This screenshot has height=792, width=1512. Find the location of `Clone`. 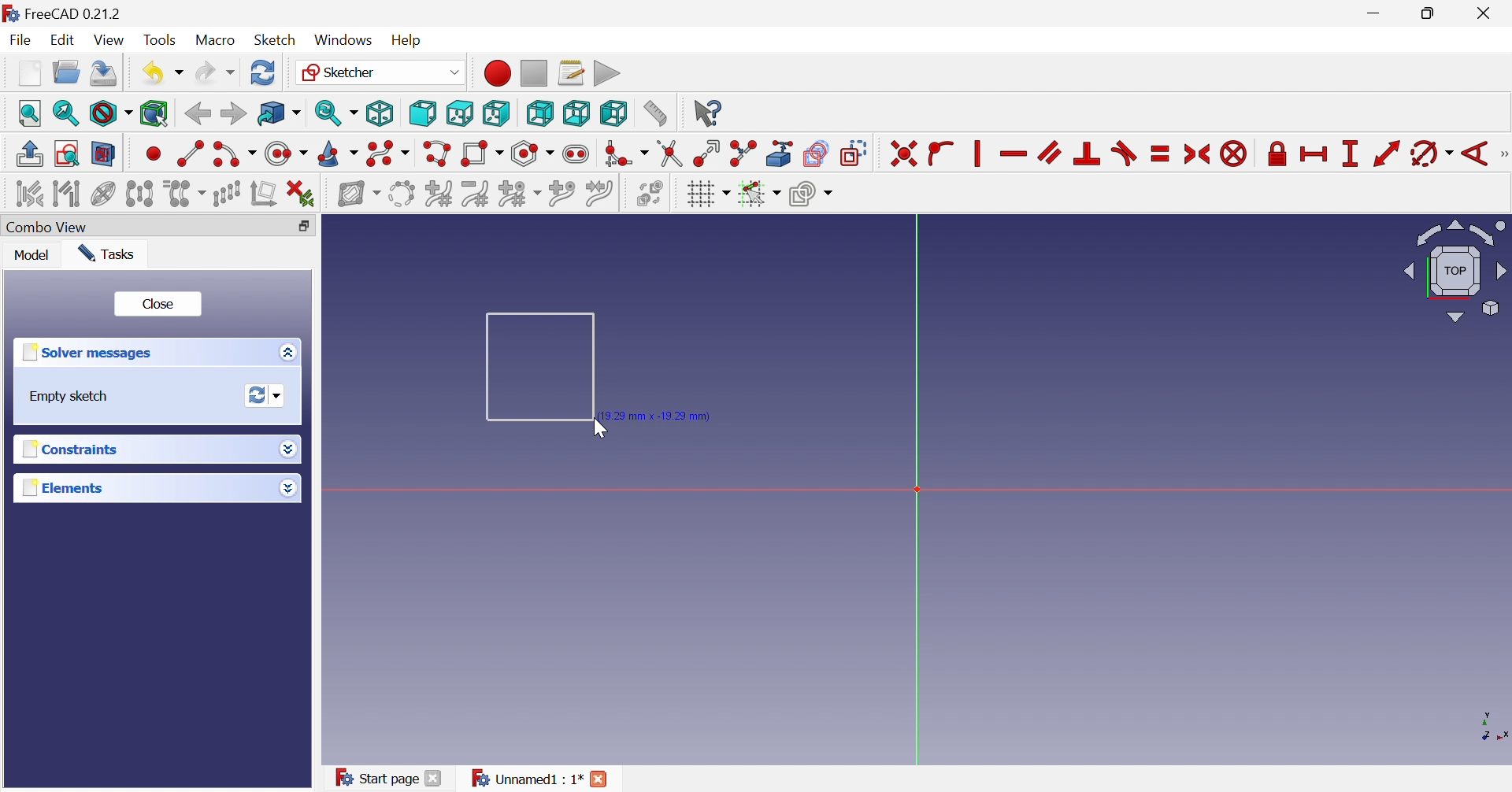

Clone is located at coordinates (184, 194).